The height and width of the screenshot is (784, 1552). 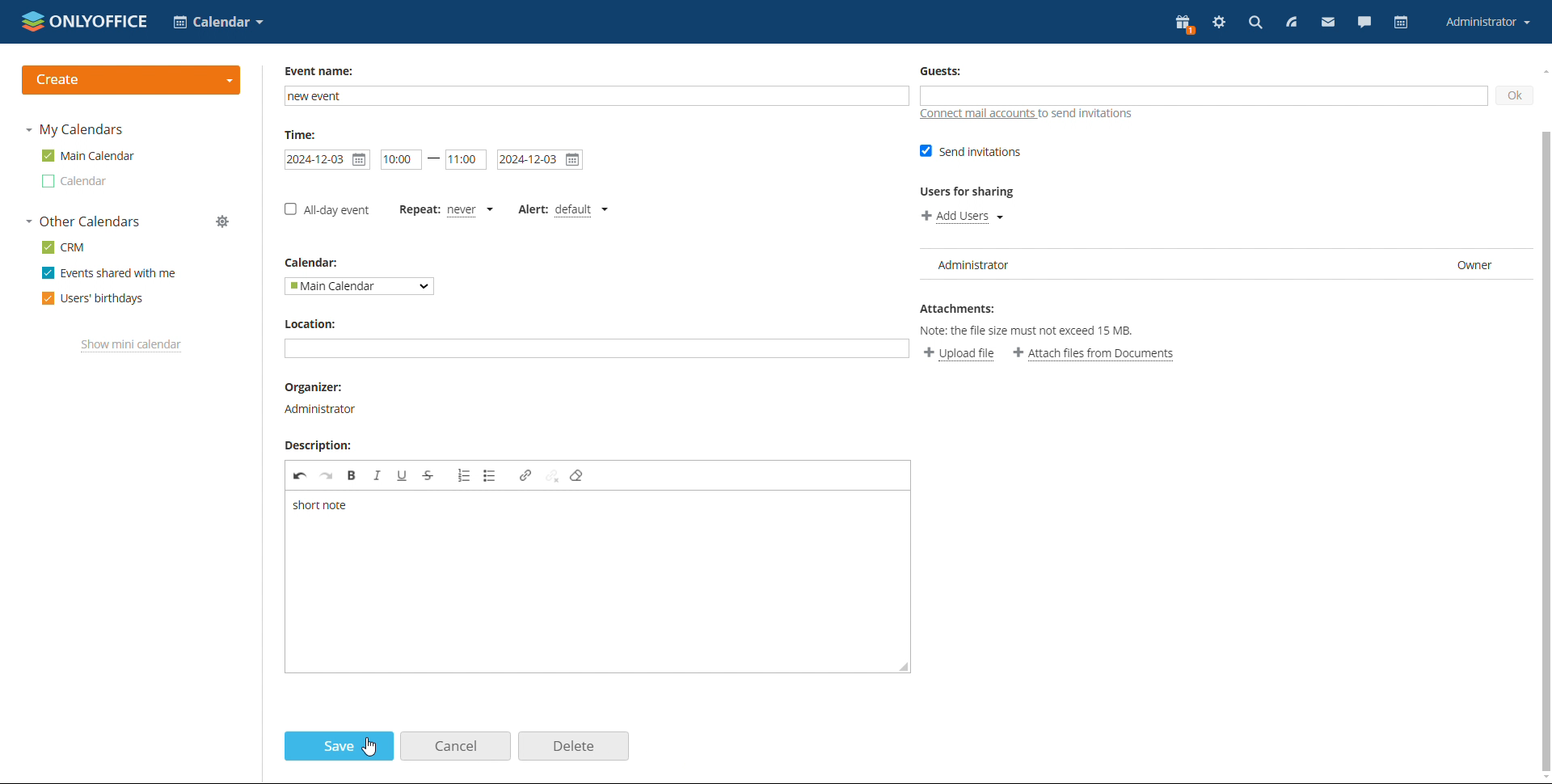 What do you see at coordinates (375, 475) in the screenshot?
I see `italic` at bounding box center [375, 475].